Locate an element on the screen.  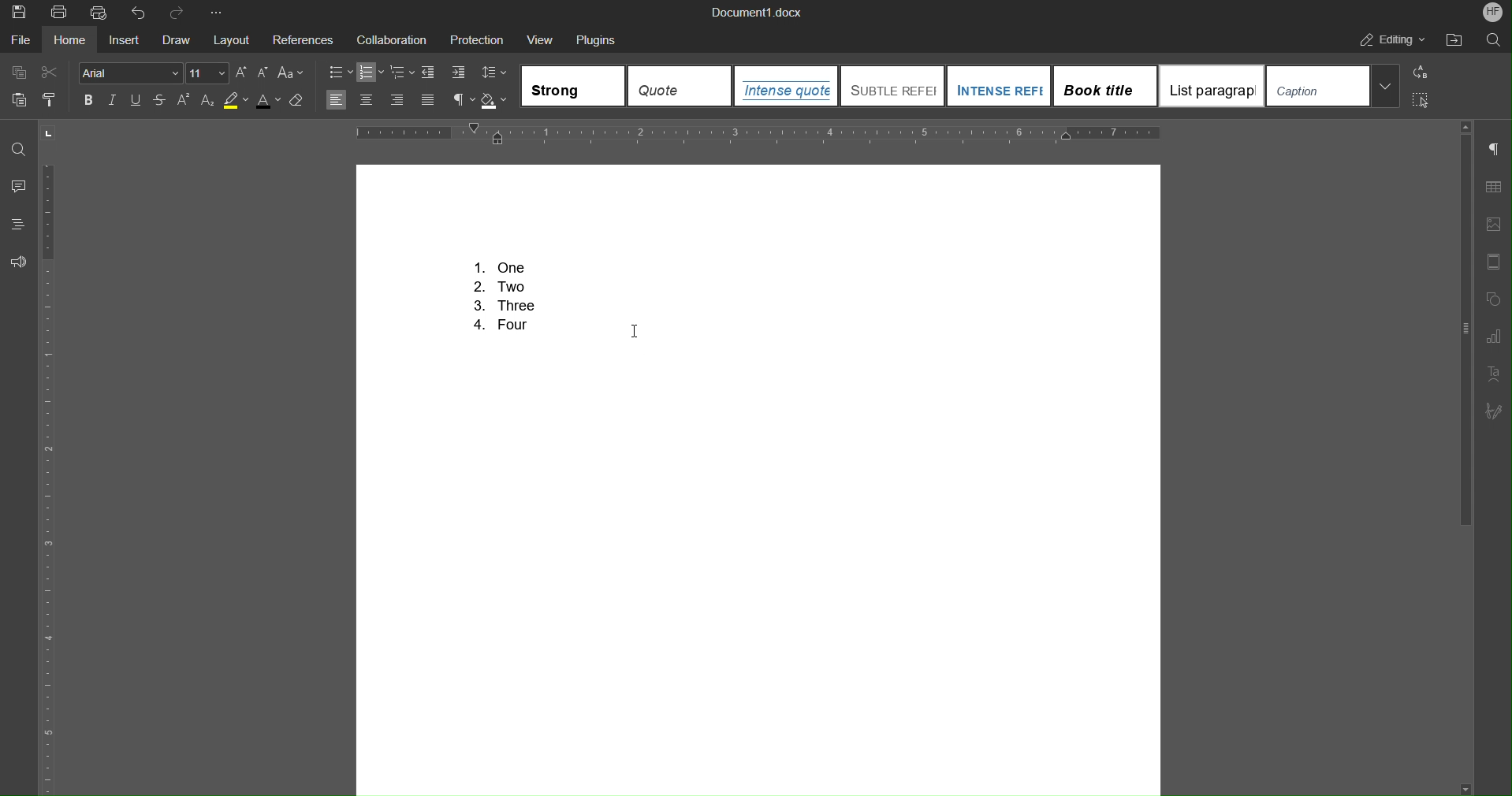
View is located at coordinates (542, 38).